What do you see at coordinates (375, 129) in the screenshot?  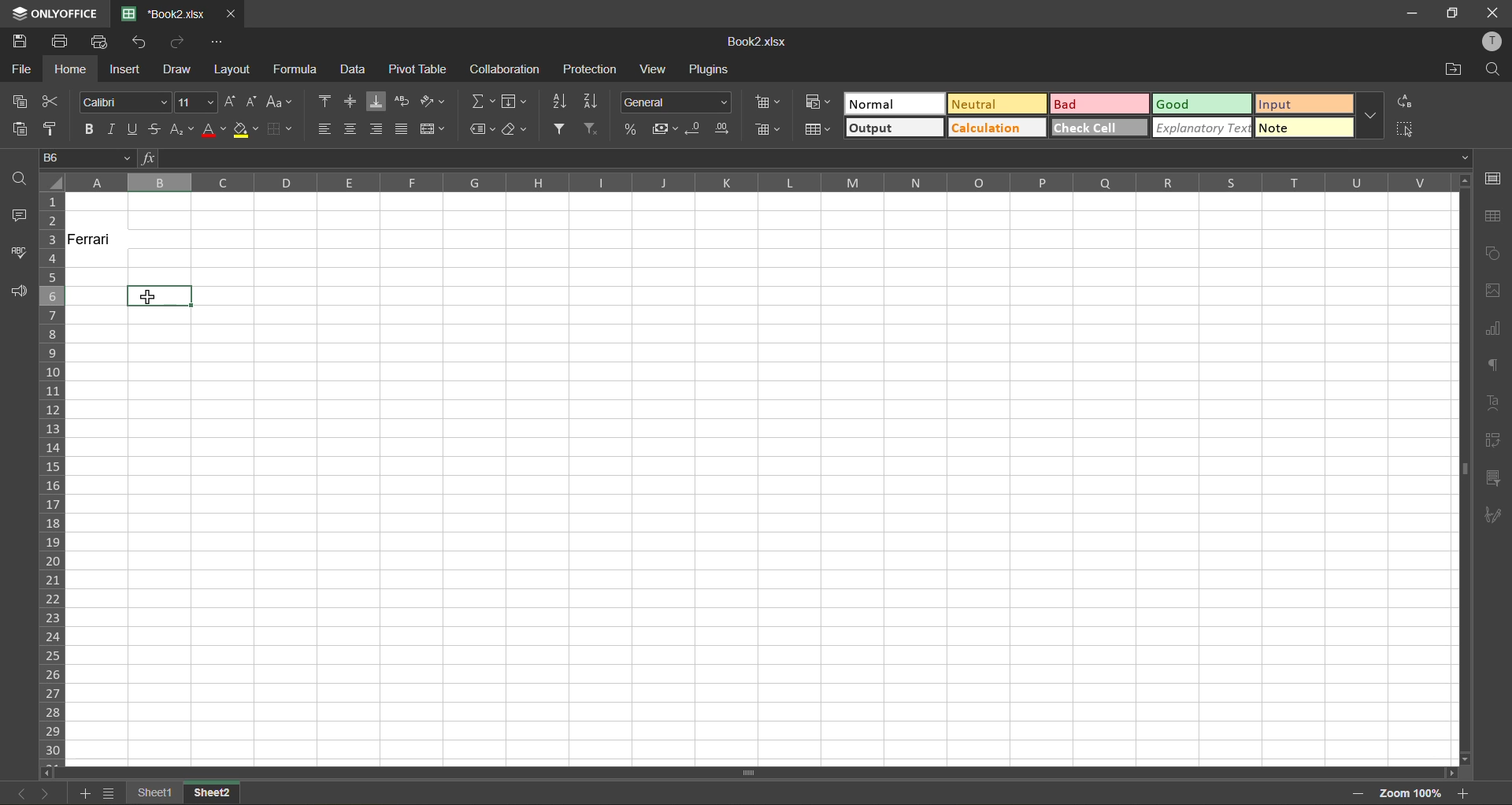 I see `align right` at bounding box center [375, 129].